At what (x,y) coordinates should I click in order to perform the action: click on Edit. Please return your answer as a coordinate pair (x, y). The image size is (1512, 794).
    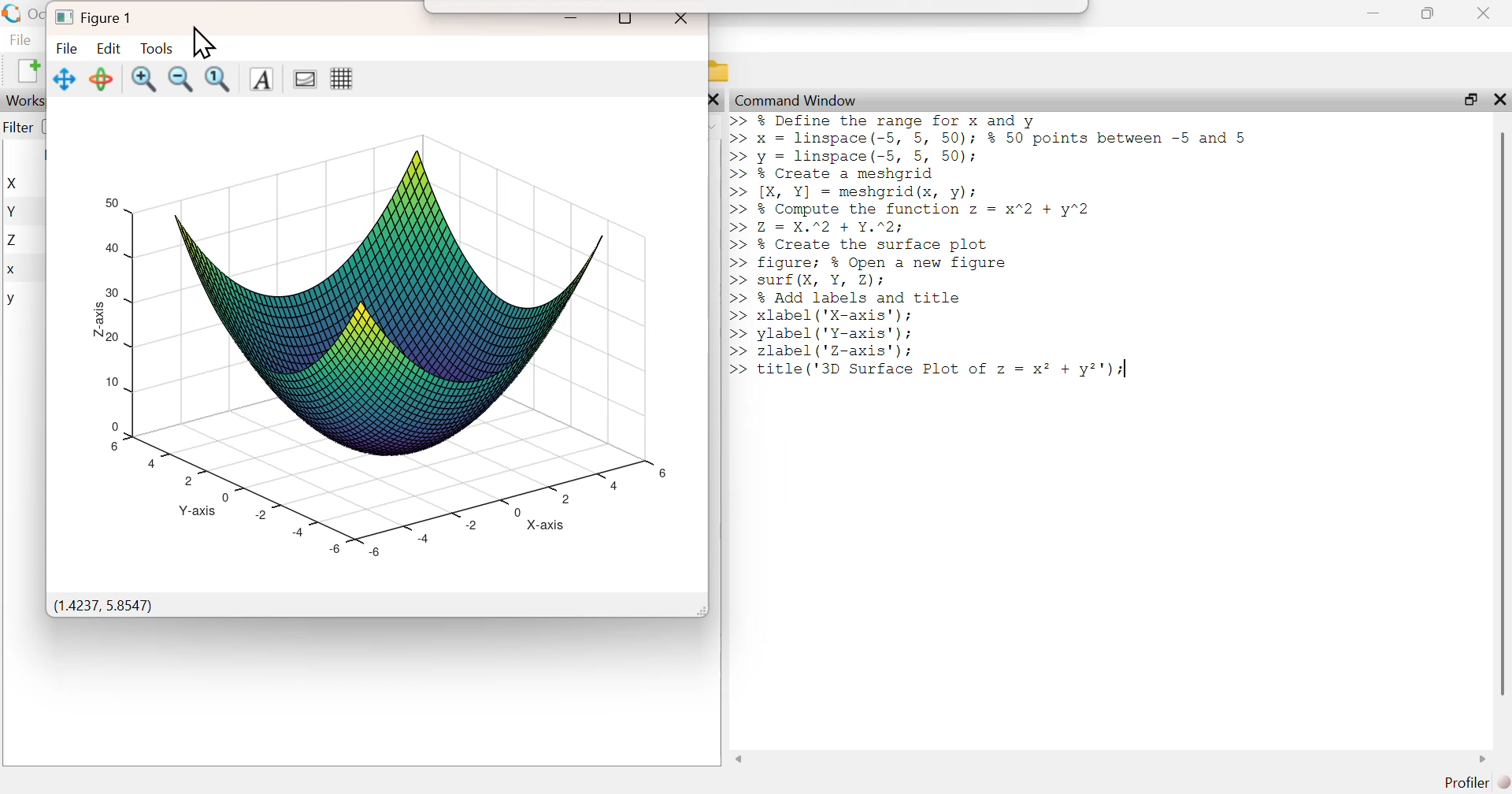
    Looking at the image, I should click on (108, 47).